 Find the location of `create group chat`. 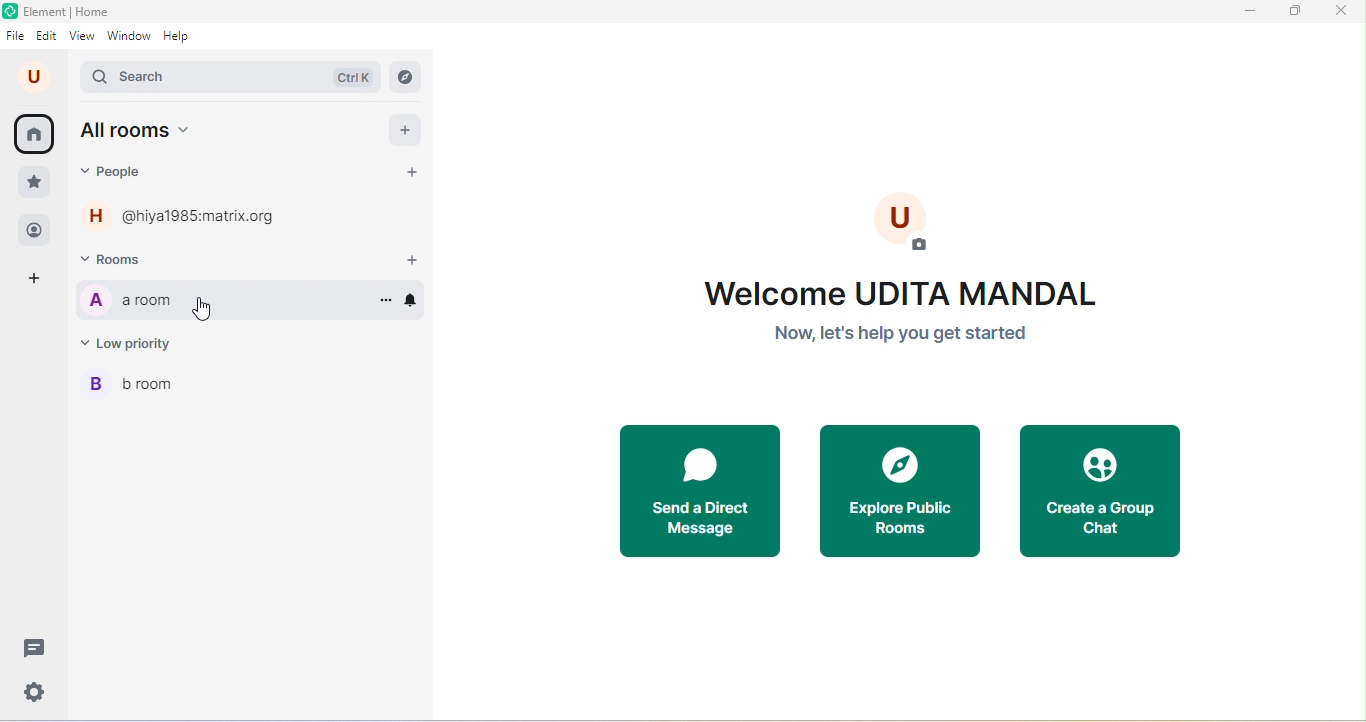

create group chat is located at coordinates (1102, 490).